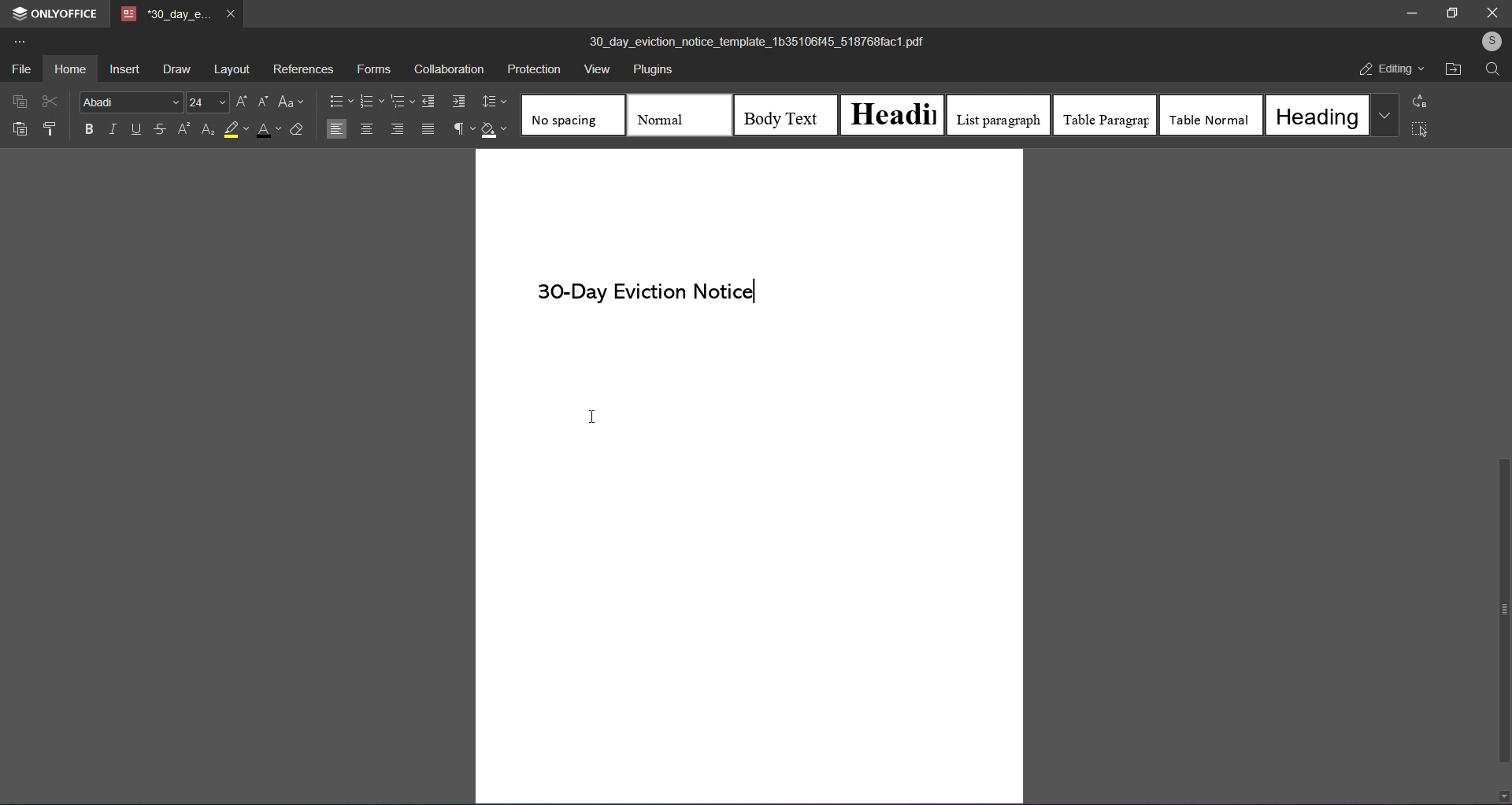 The height and width of the screenshot is (805, 1512). I want to click on decrease indent, so click(428, 101).